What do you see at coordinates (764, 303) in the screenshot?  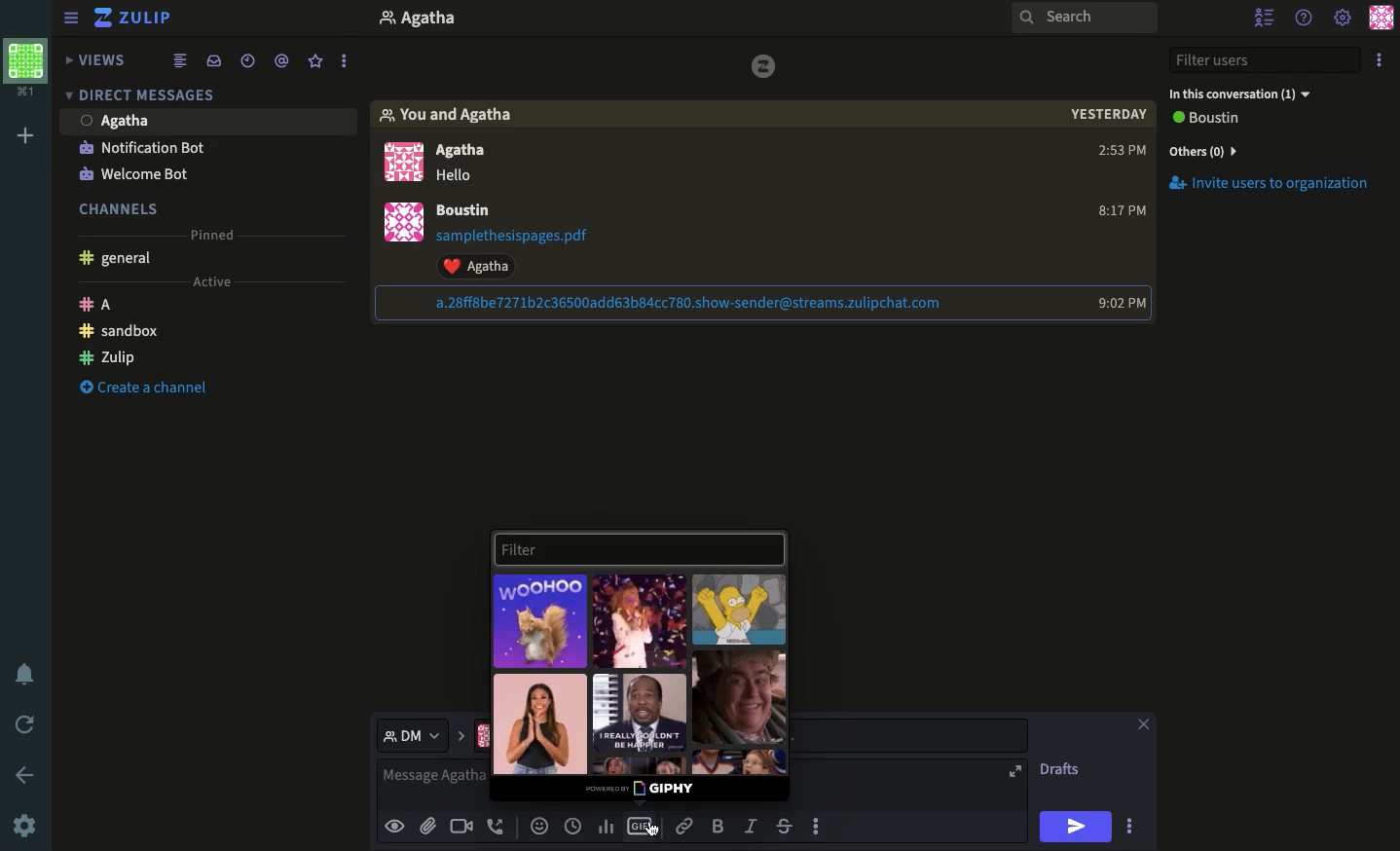 I see `Attachment` at bounding box center [764, 303].